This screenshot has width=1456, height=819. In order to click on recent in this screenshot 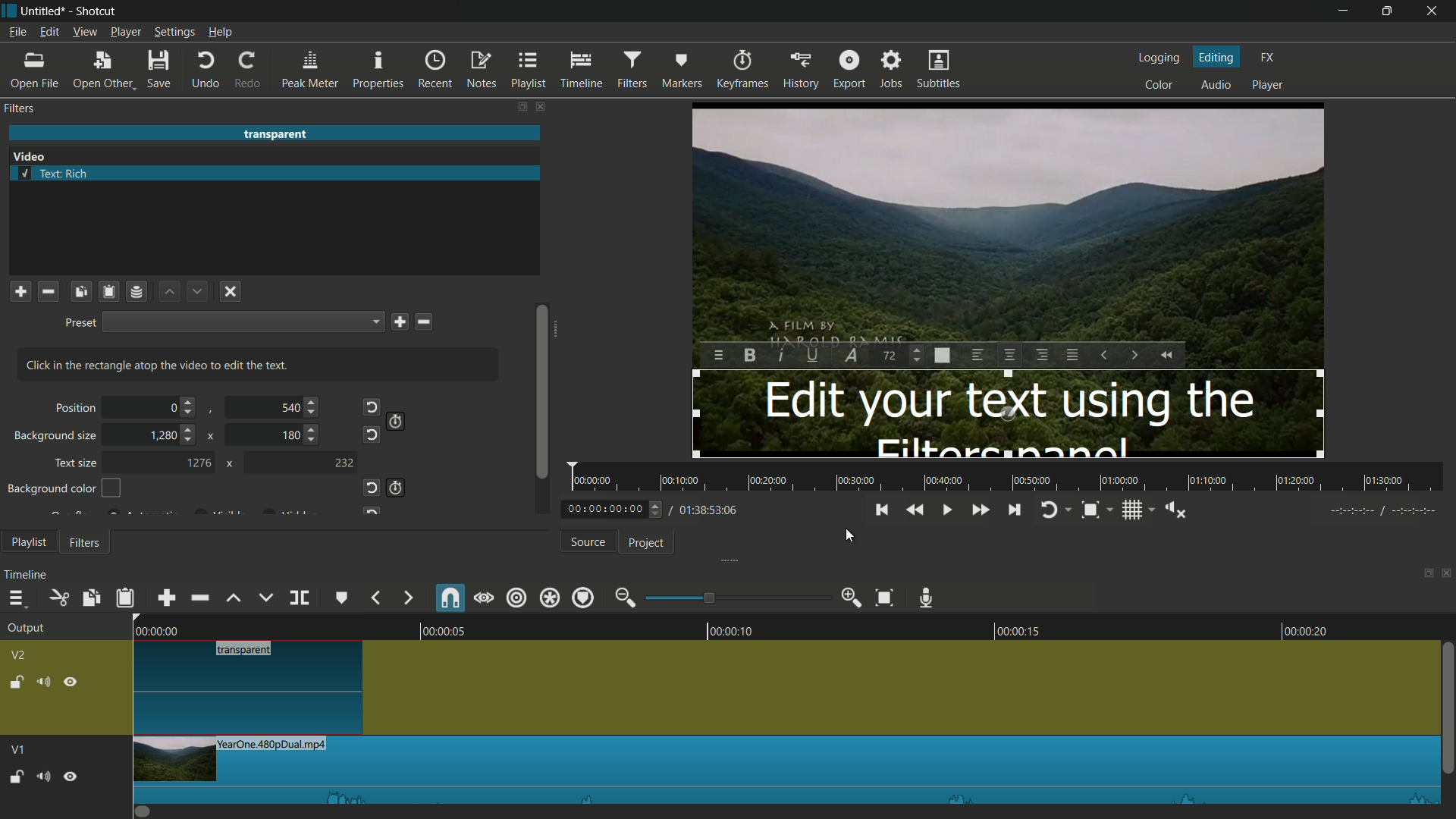, I will do `click(436, 71)`.